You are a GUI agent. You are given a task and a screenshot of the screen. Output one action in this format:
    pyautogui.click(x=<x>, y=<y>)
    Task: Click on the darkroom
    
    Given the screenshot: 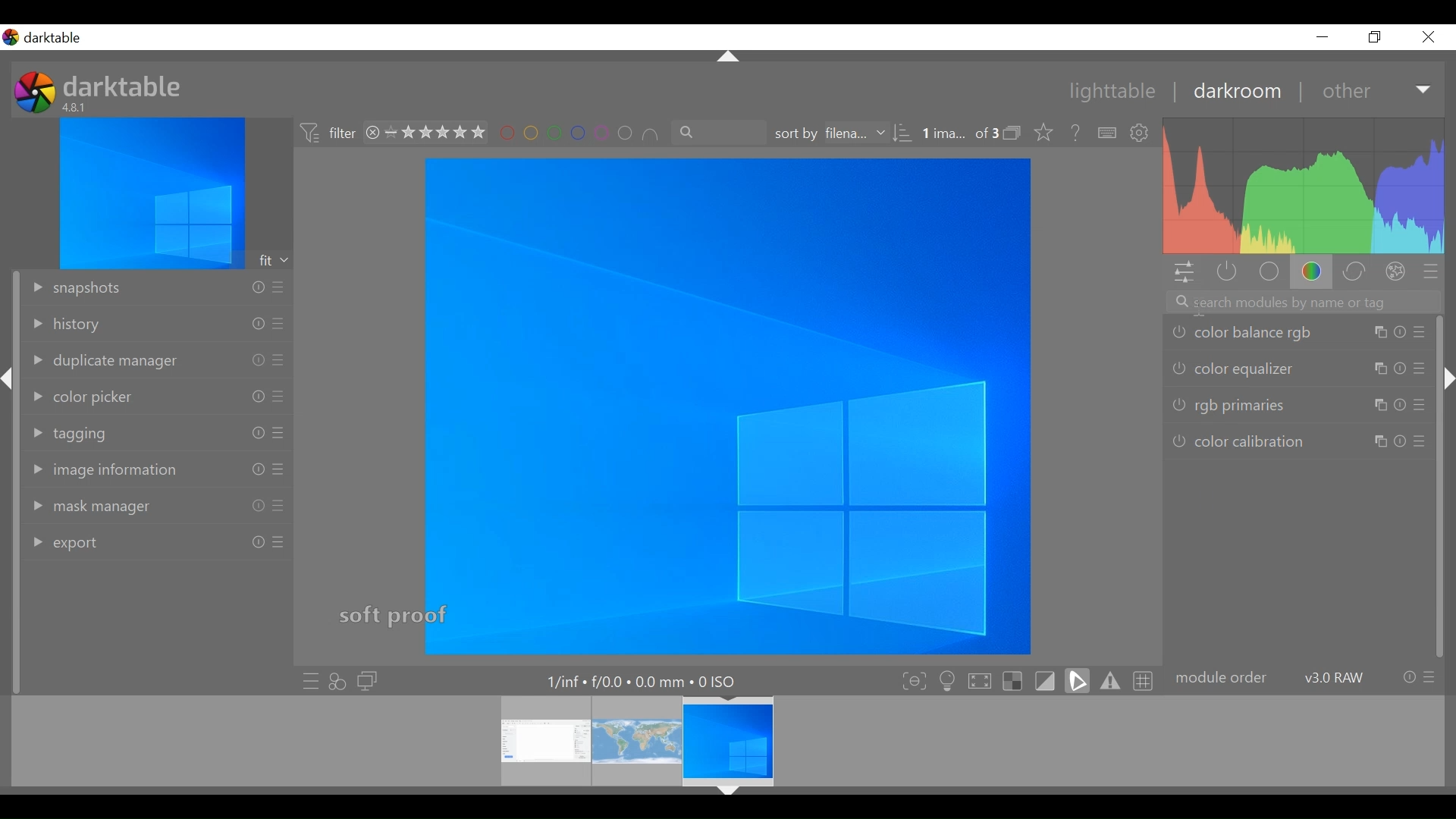 What is the action you would take?
    pyautogui.click(x=1231, y=93)
    